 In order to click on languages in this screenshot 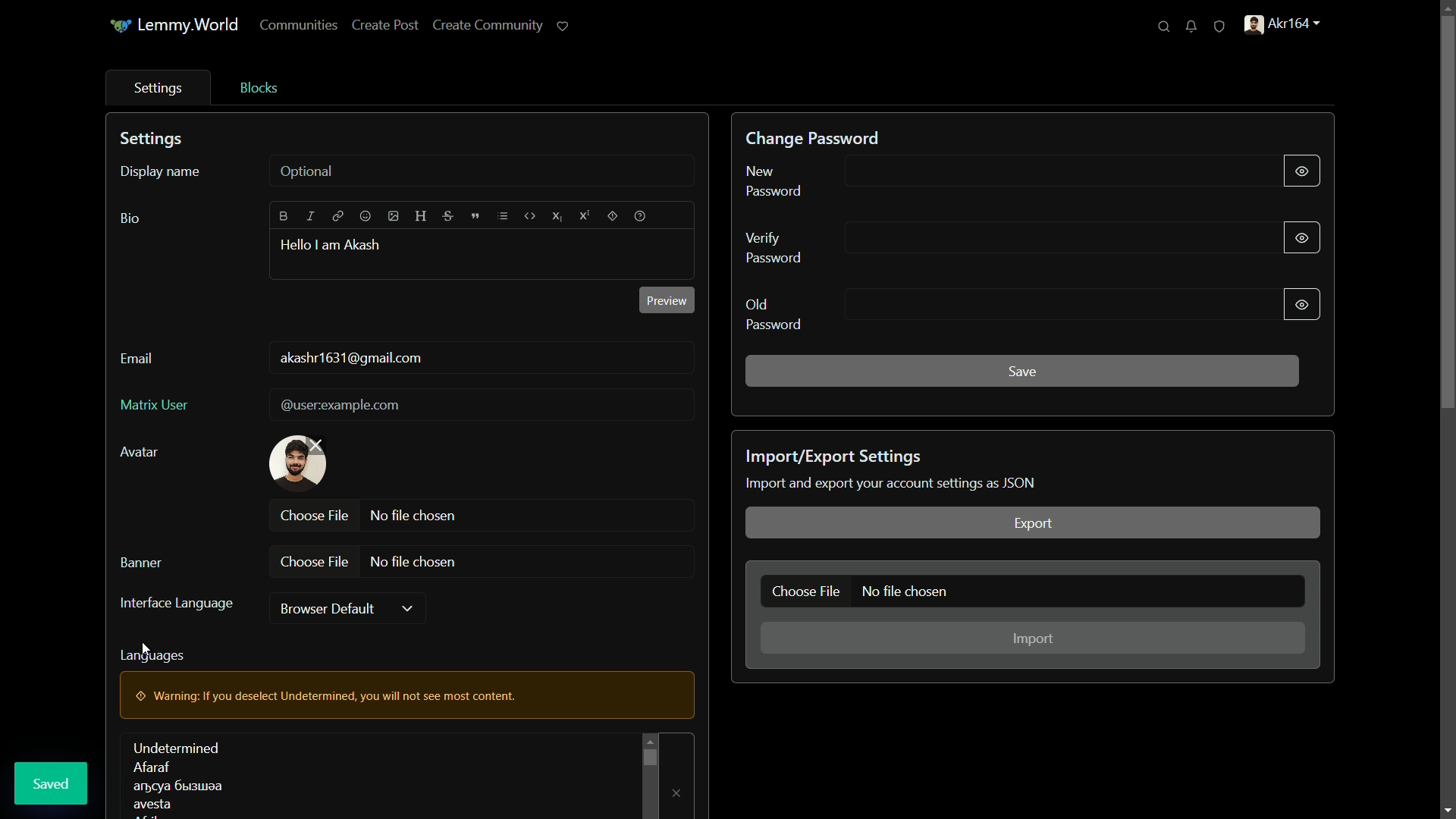, I will do `click(177, 776)`.